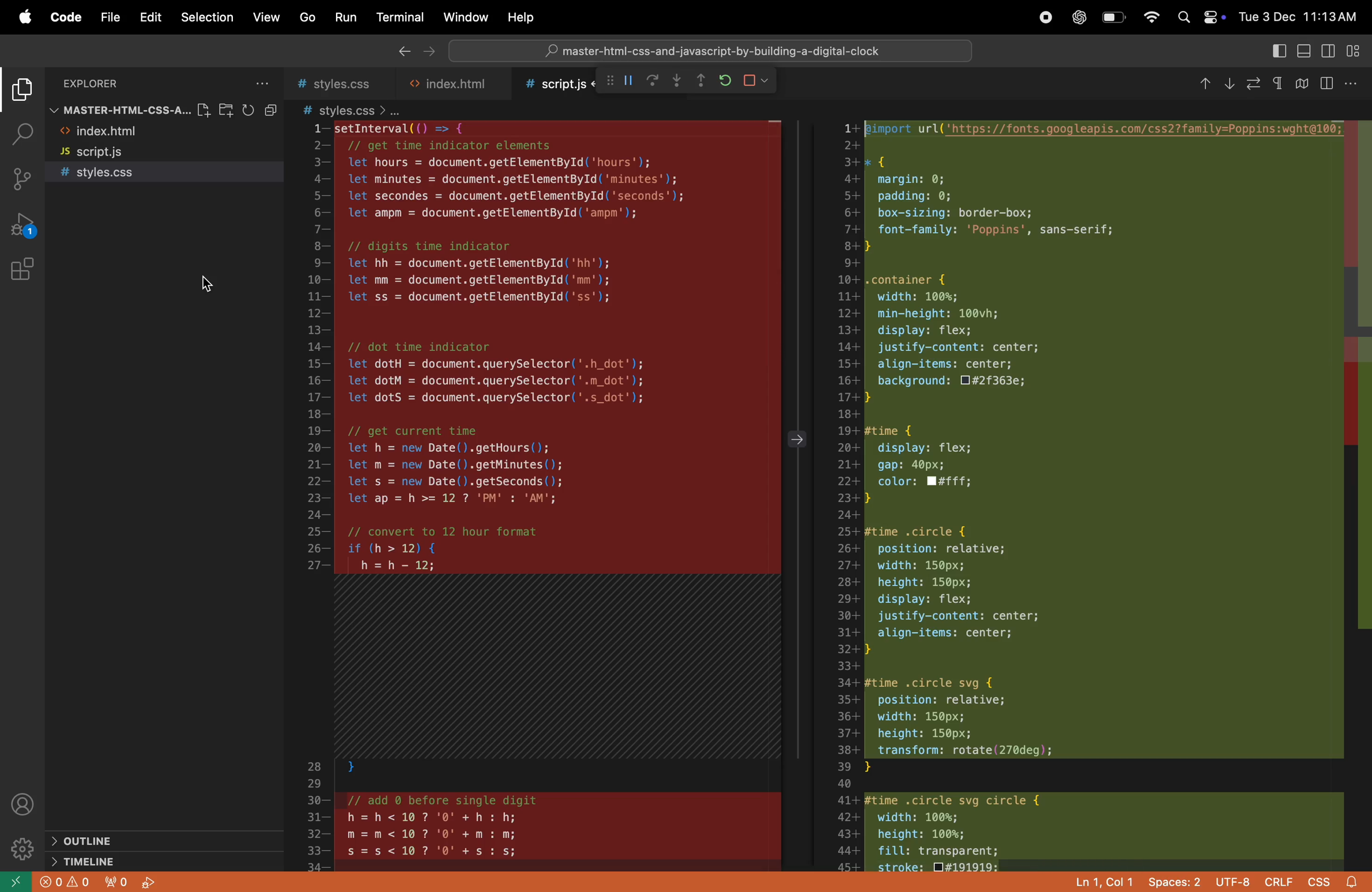 Image resolution: width=1372 pixels, height=892 pixels. I want to click on profile, so click(24, 806).